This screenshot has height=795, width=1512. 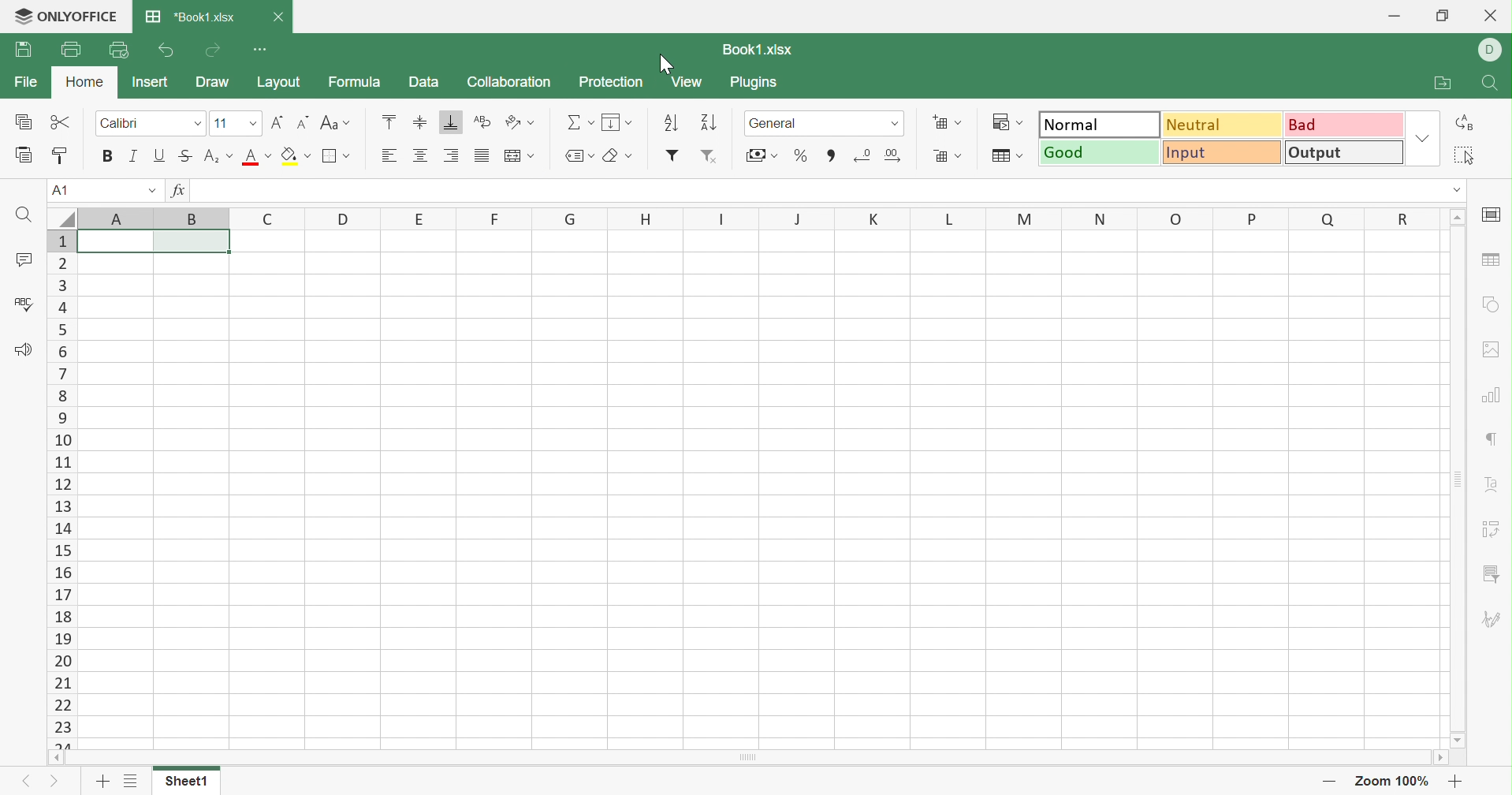 I want to click on Layout, so click(x=277, y=82).